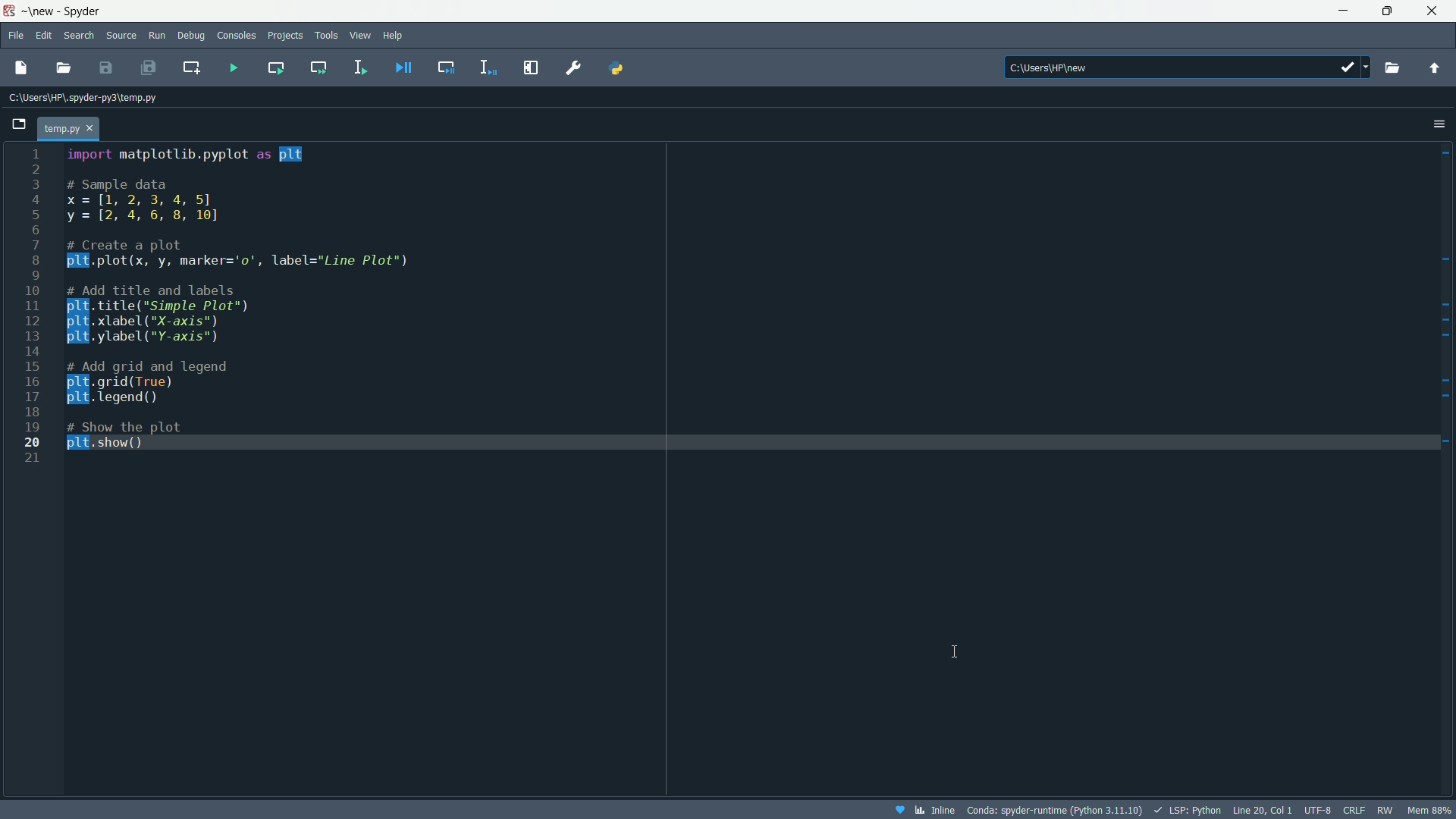 The height and width of the screenshot is (819, 1456). What do you see at coordinates (83, 97) in the screenshot?
I see `file directory` at bounding box center [83, 97].